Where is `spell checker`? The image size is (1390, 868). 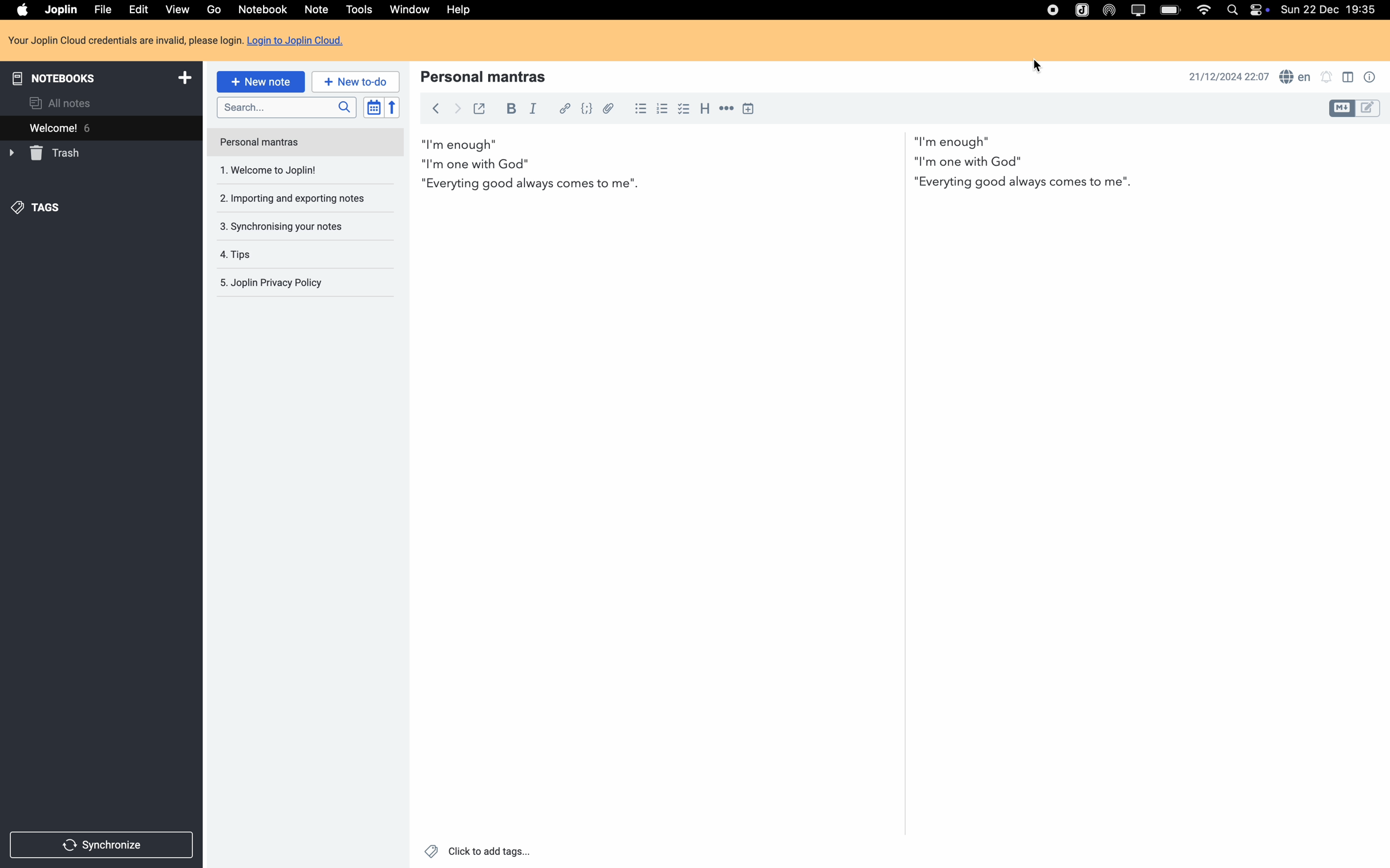
spell checker is located at coordinates (1297, 77).